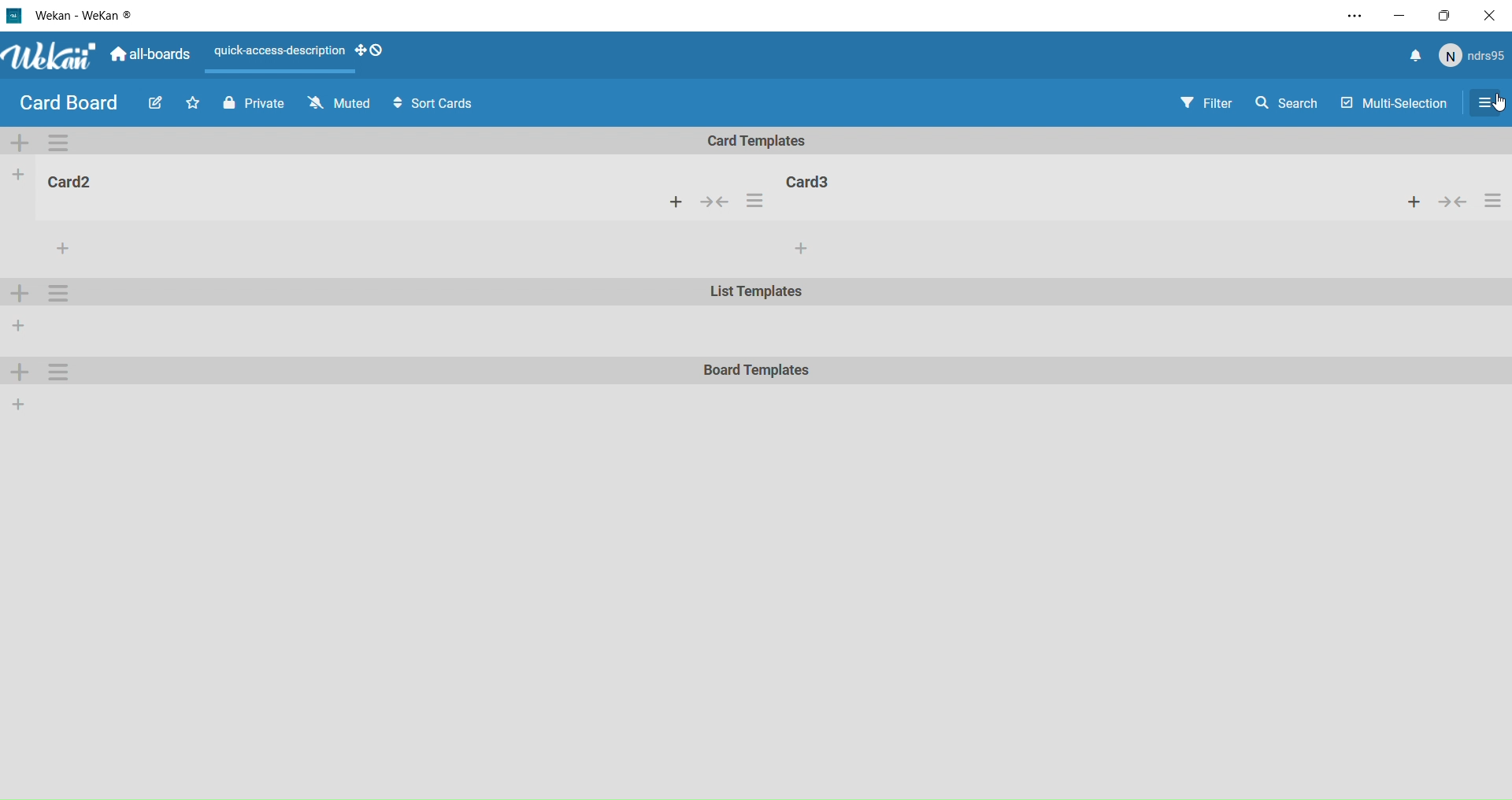 This screenshot has width=1512, height=800. I want to click on , so click(19, 172).